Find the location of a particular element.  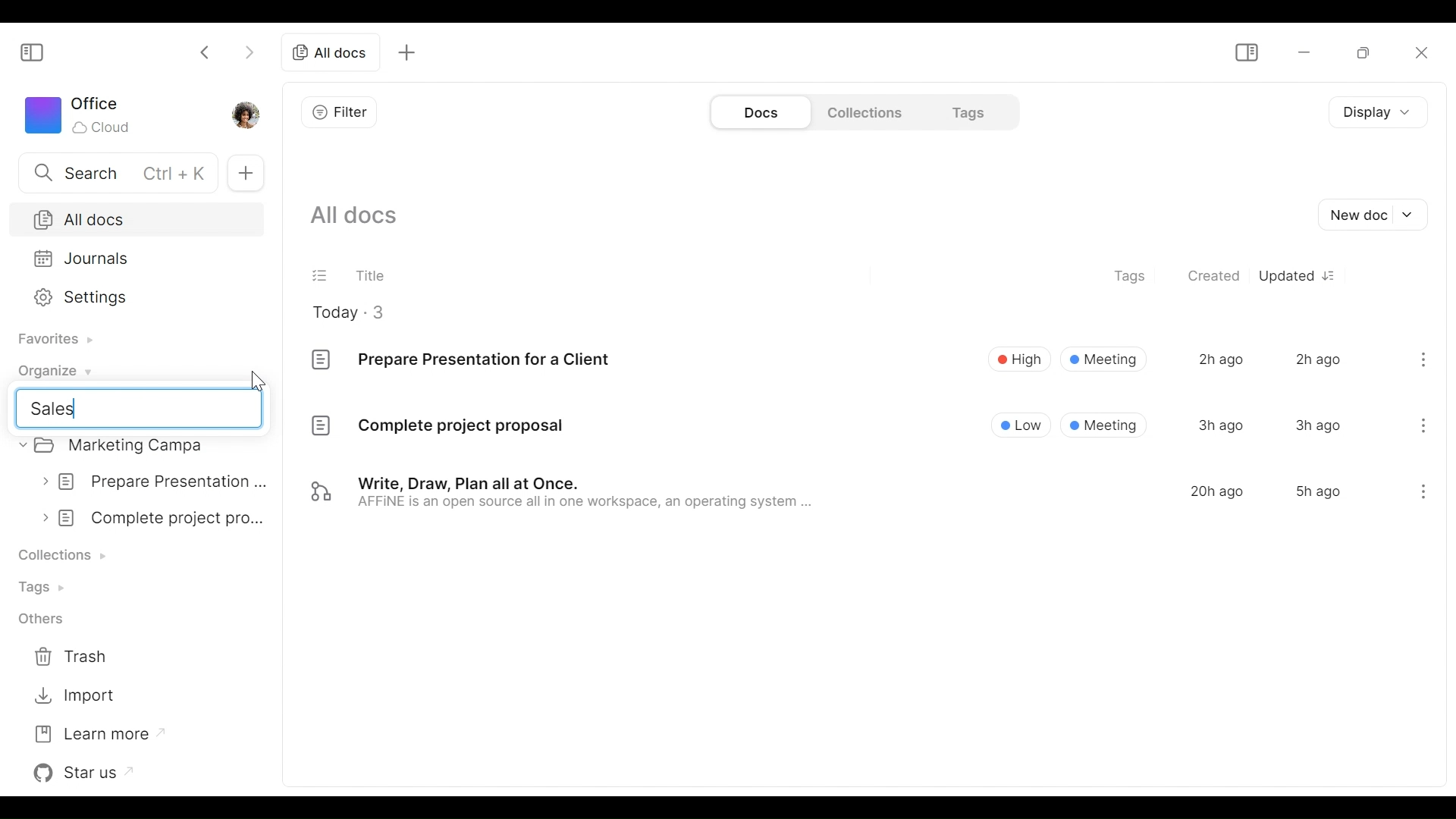

5h ago is located at coordinates (1317, 491).